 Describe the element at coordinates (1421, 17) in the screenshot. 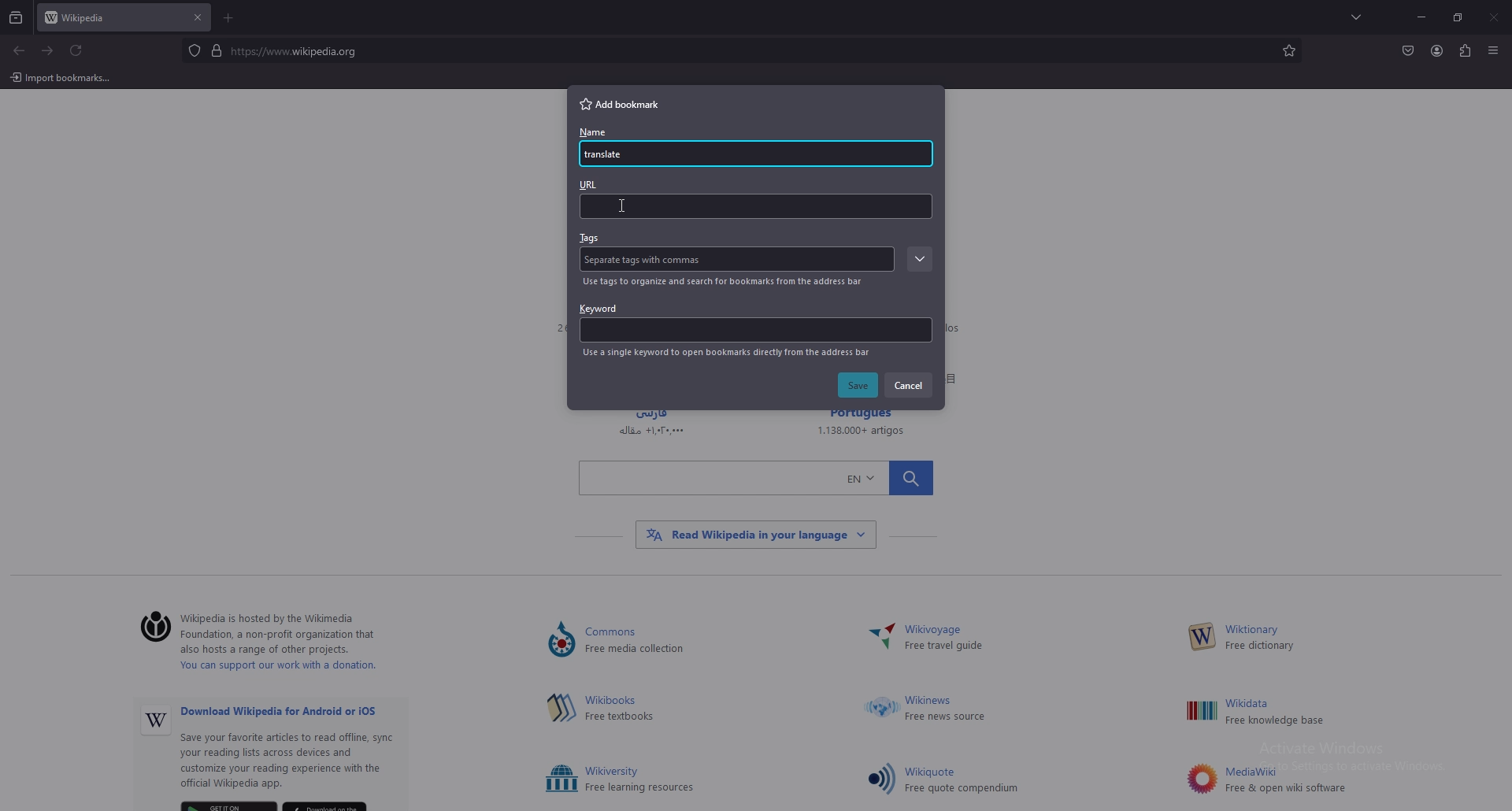

I see `minimize` at that location.